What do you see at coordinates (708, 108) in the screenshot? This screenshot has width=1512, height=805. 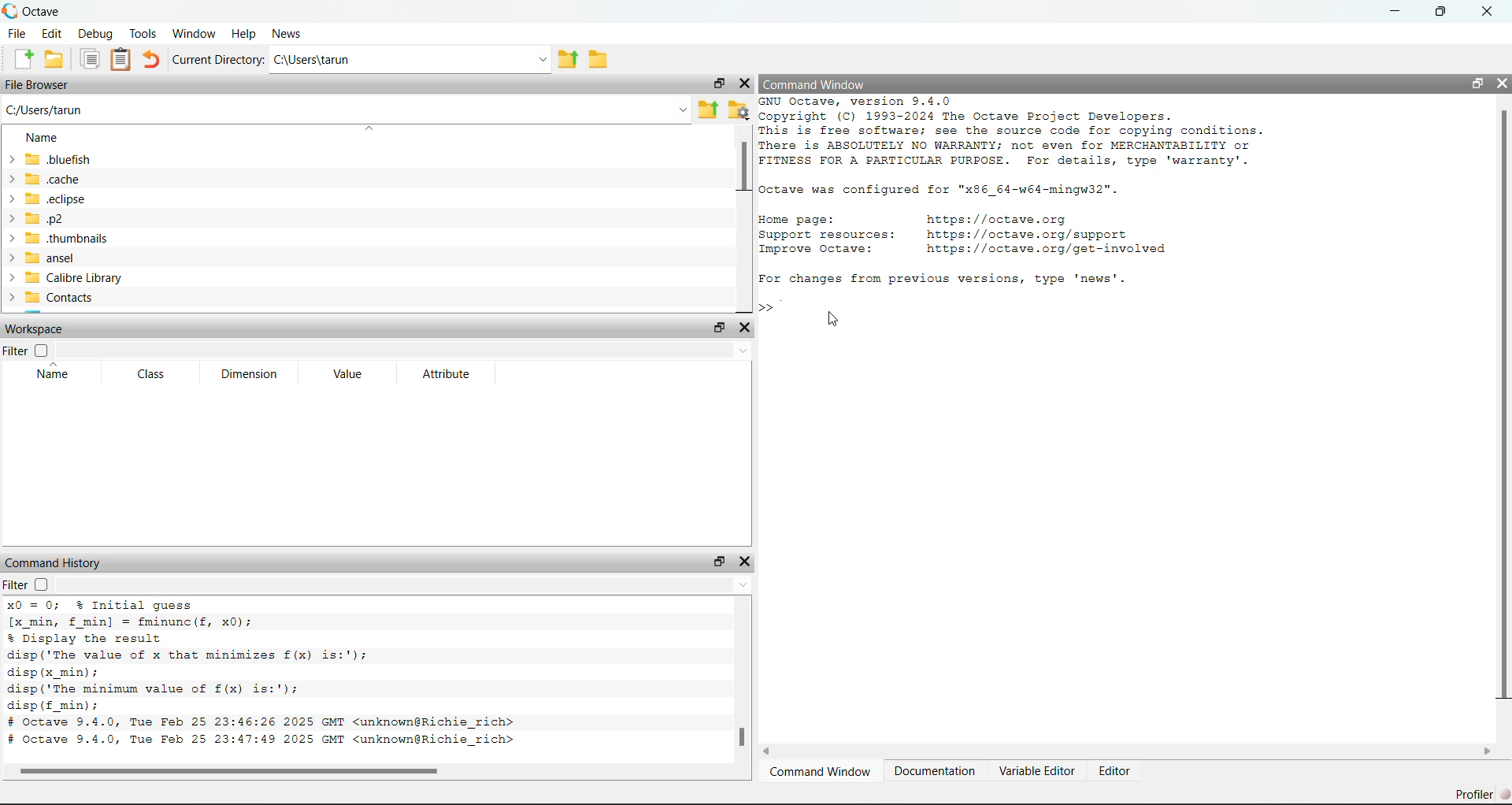 I see `one directory up` at bounding box center [708, 108].